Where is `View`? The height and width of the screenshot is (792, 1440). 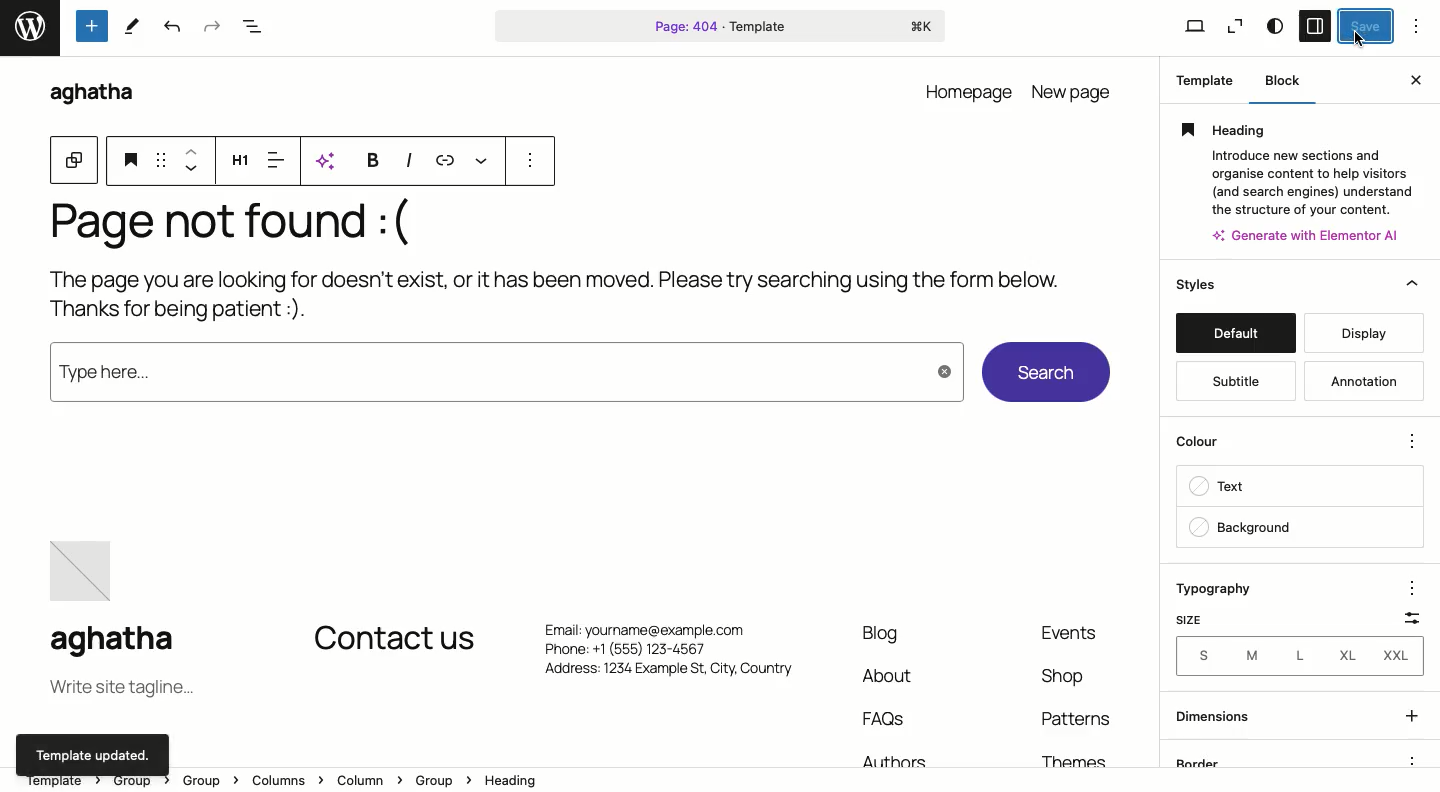
View is located at coordinates (1184, 25).